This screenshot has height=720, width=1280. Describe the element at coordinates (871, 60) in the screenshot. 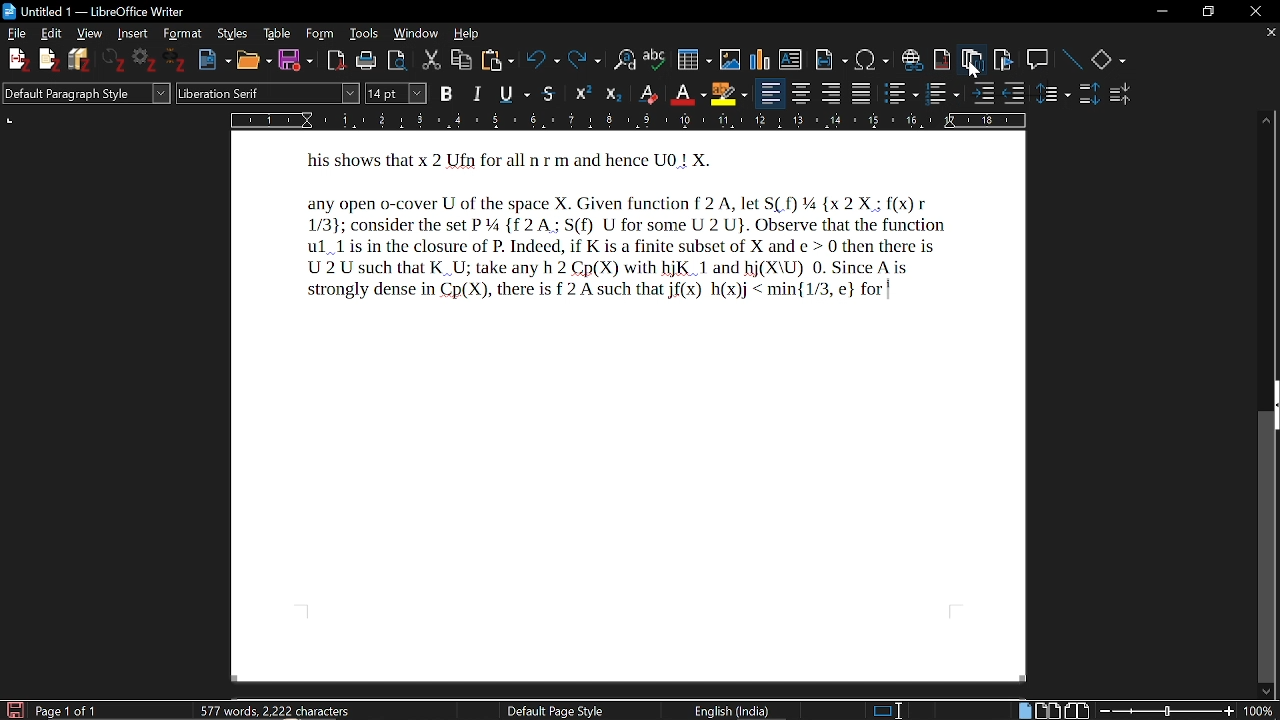

I see `Insert special character` at that location.